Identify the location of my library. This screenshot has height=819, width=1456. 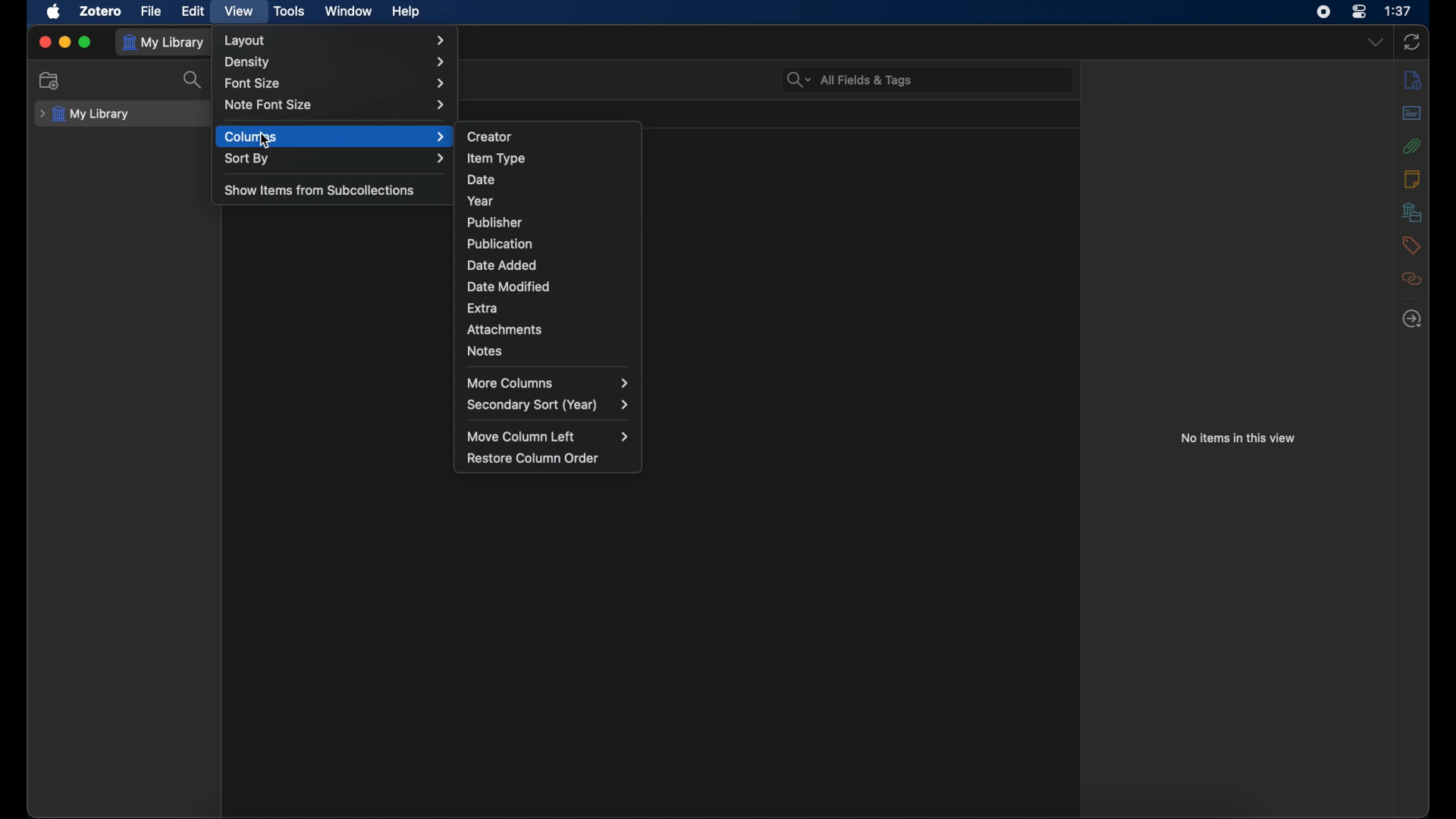
(85, 115).